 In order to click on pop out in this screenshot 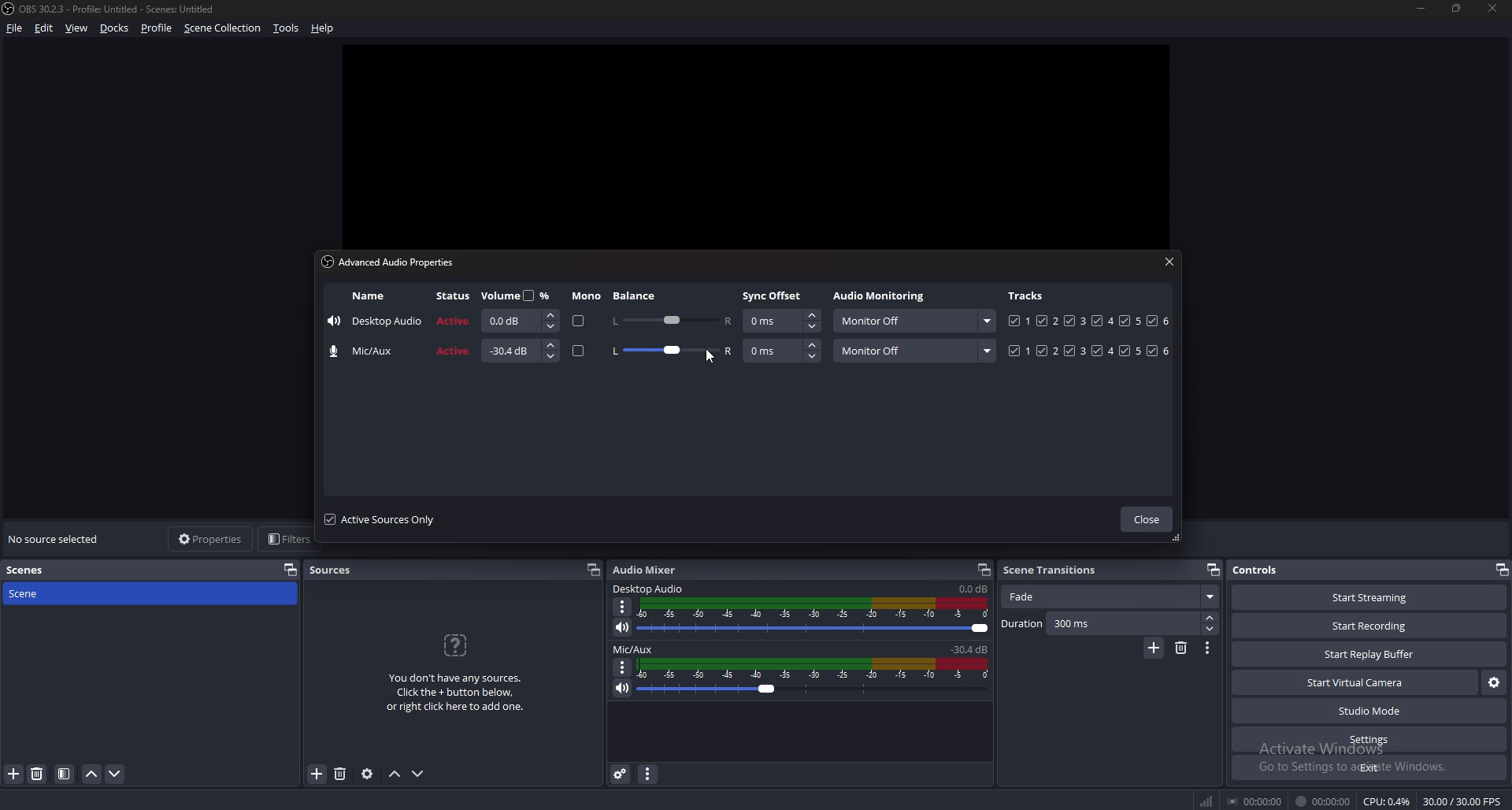, I will do `click(1214, 570)`.